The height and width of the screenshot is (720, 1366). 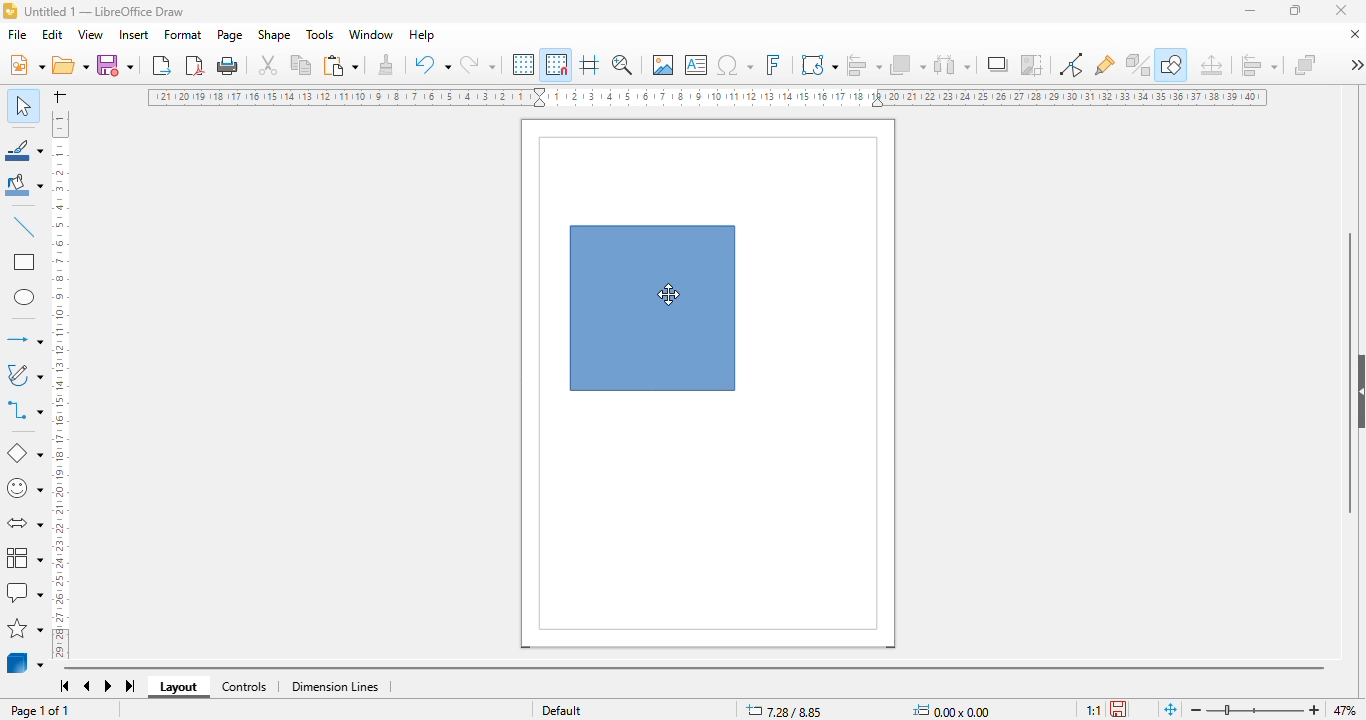 I want to click on close, so click(x=1341, y=10).